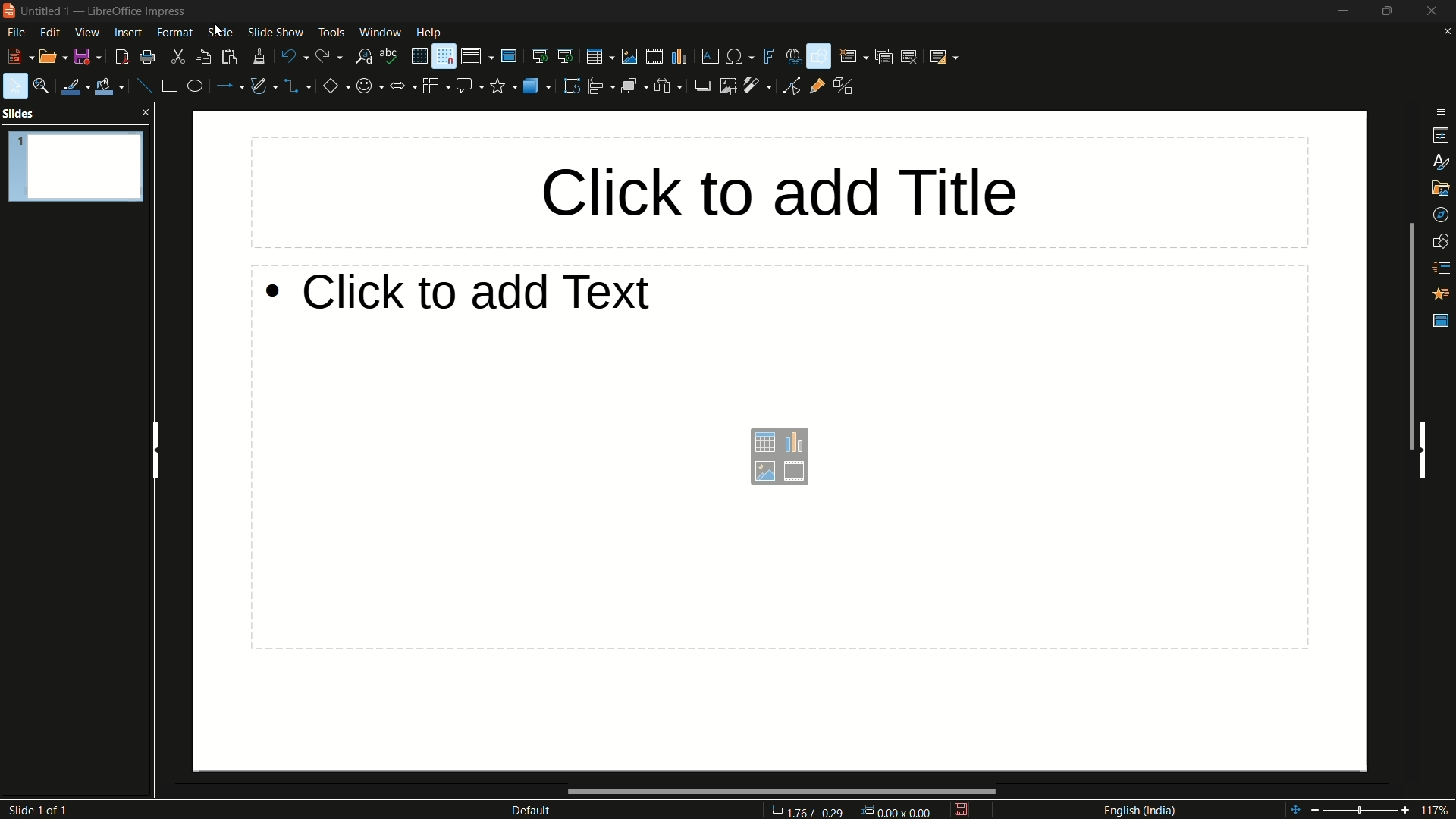 This screenshot has height=819, width=1456. I want to click on slide number, so click(36, 810).